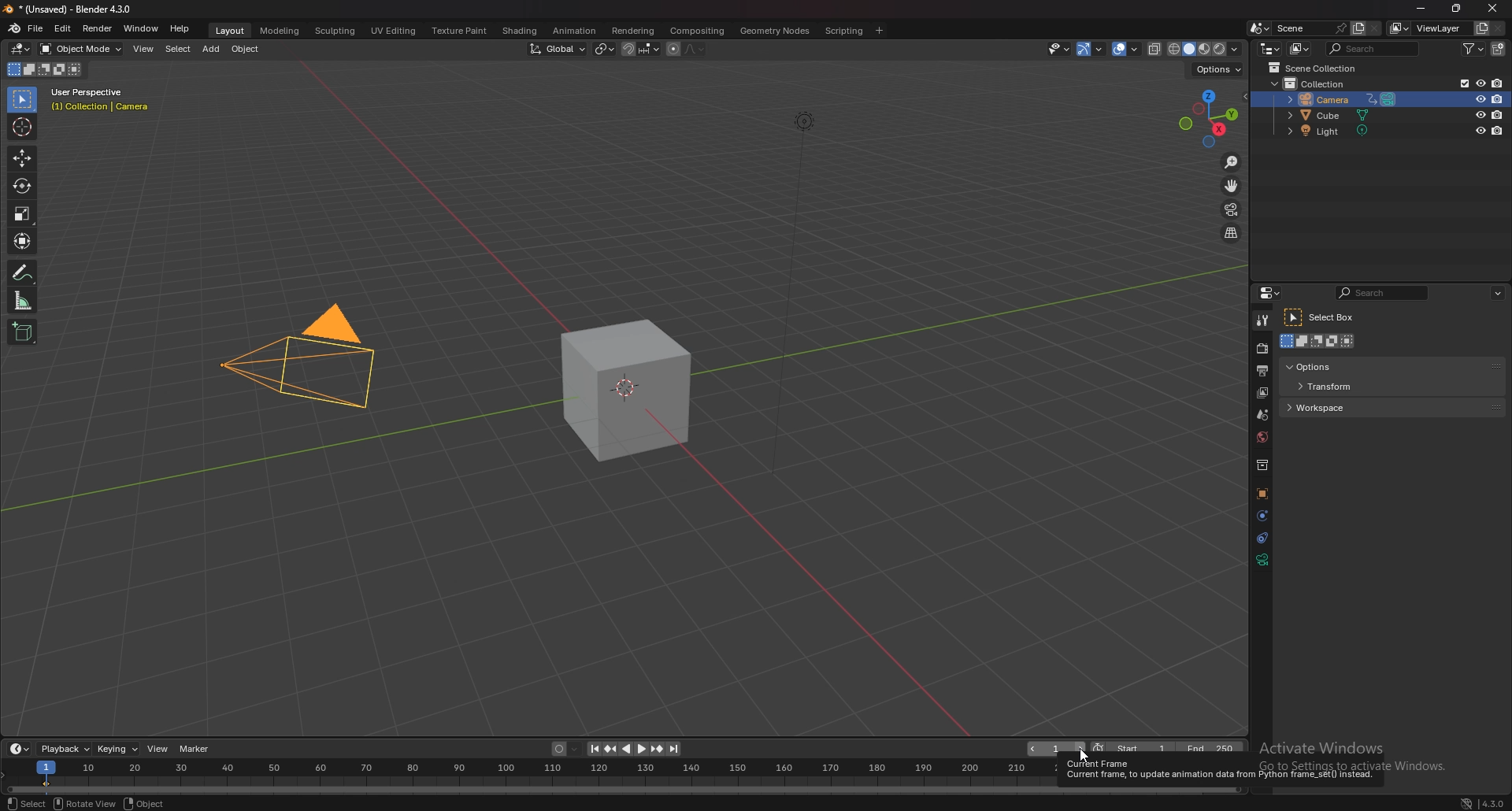 This screenshot has height=811, width=1512. I want to click on tool, so click(1262, 320).